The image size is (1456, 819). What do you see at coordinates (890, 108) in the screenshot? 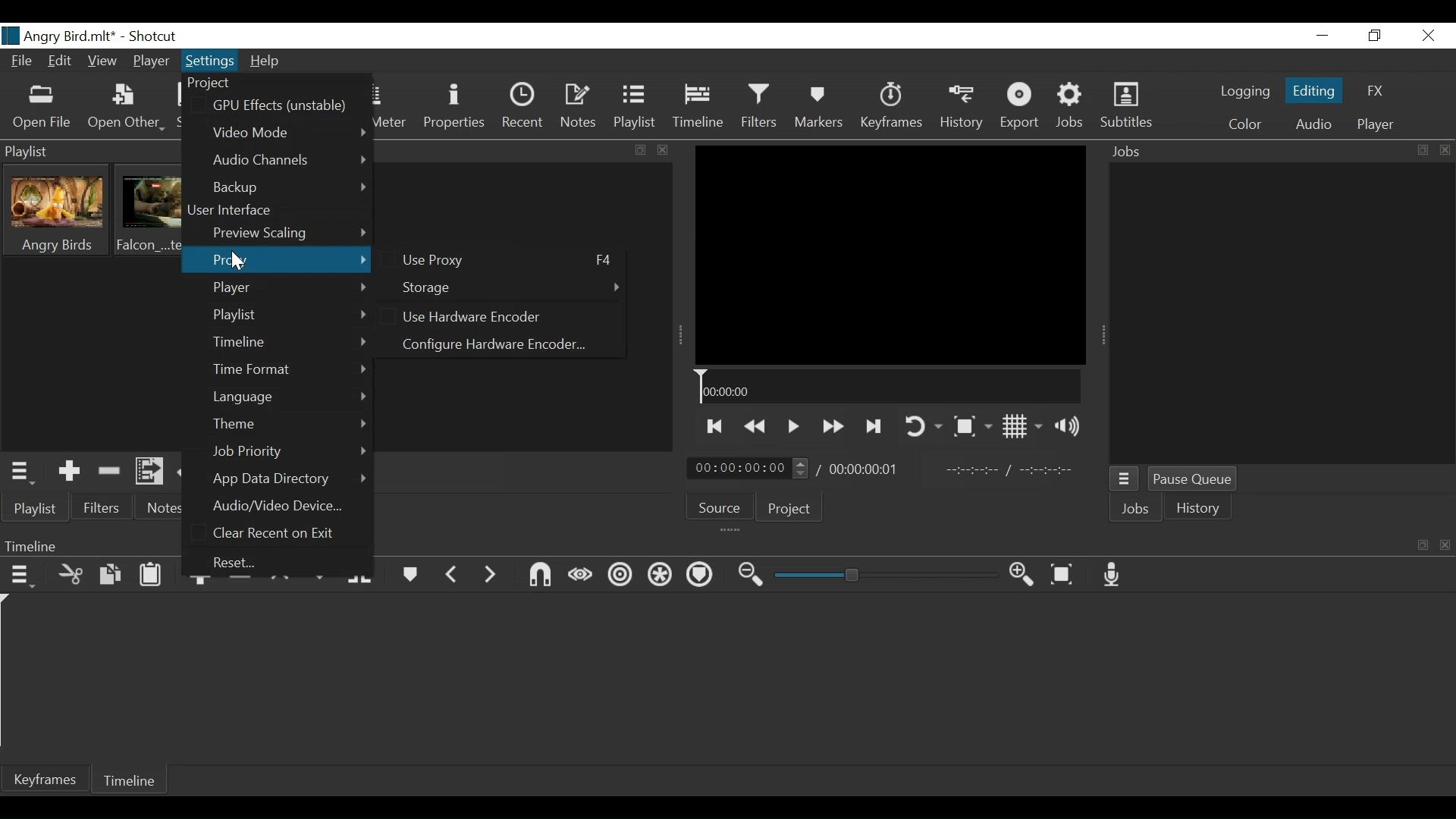
I see `Keyframes` at bounding box center [890, 108].